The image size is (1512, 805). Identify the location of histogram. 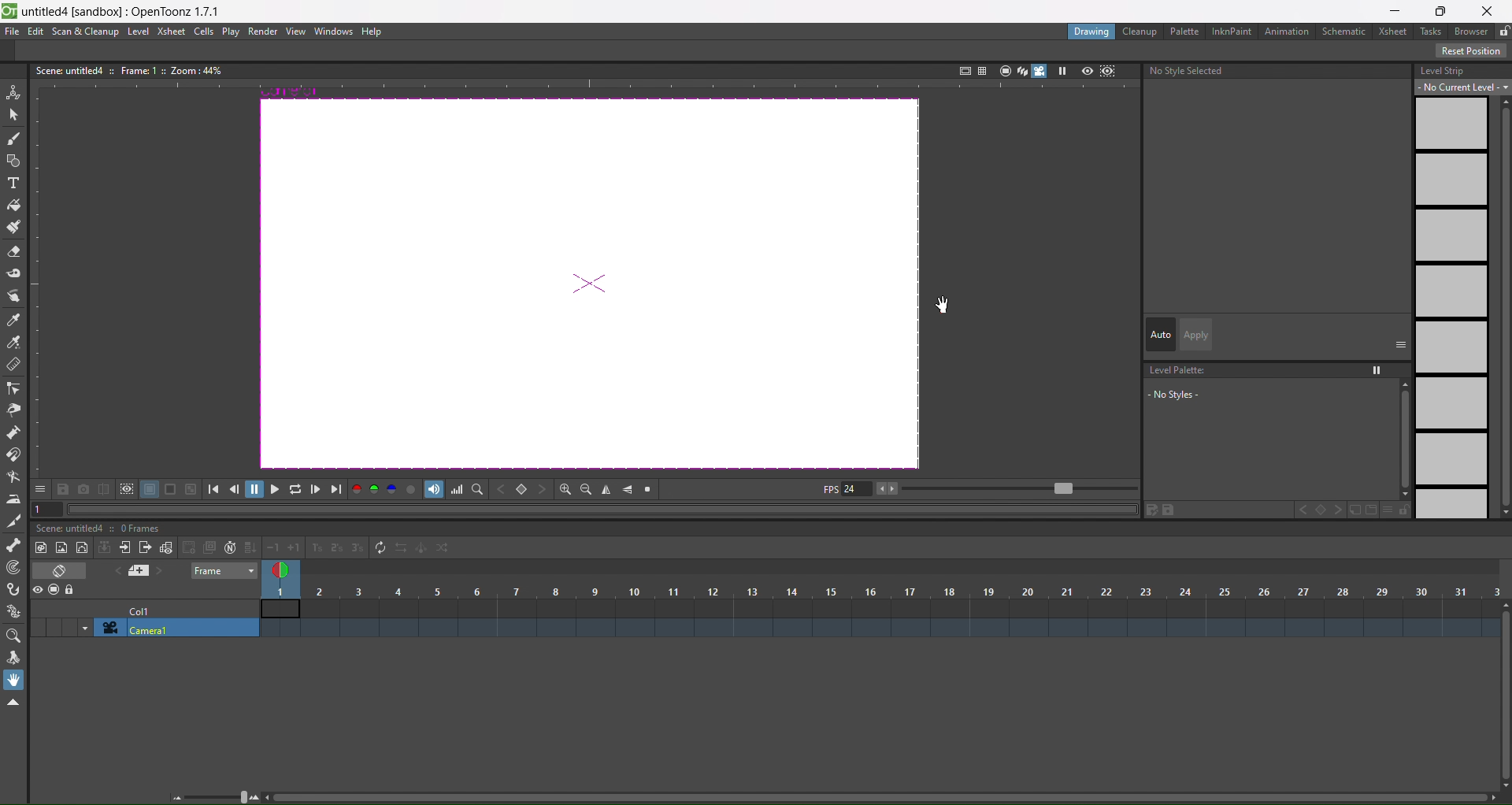
(458, 490).